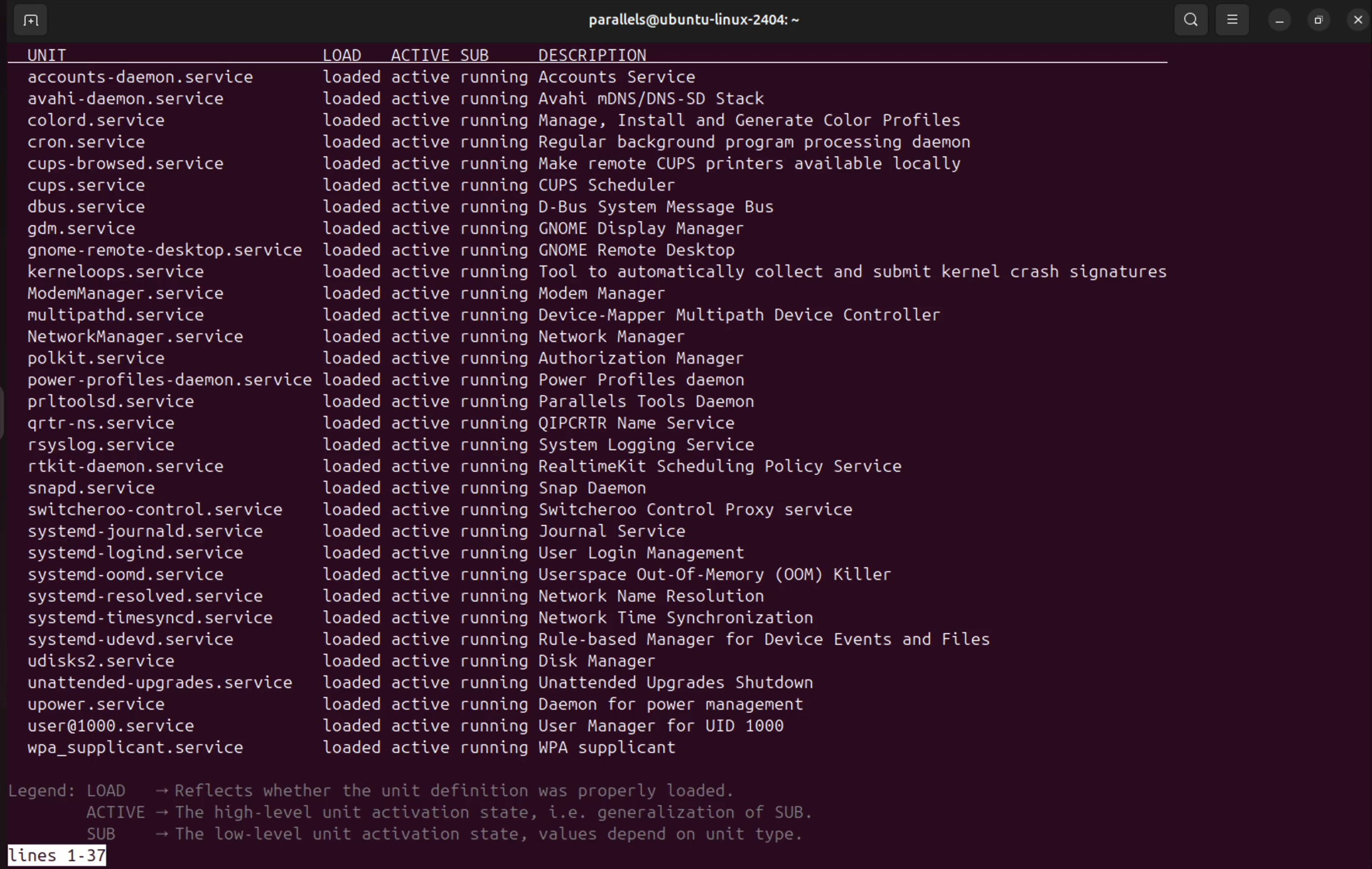 This screenshot has height=869, width=1372. What do you see at coordinates (352, 725) in the screenshot?
I see `` at bounding box center [352, 725].